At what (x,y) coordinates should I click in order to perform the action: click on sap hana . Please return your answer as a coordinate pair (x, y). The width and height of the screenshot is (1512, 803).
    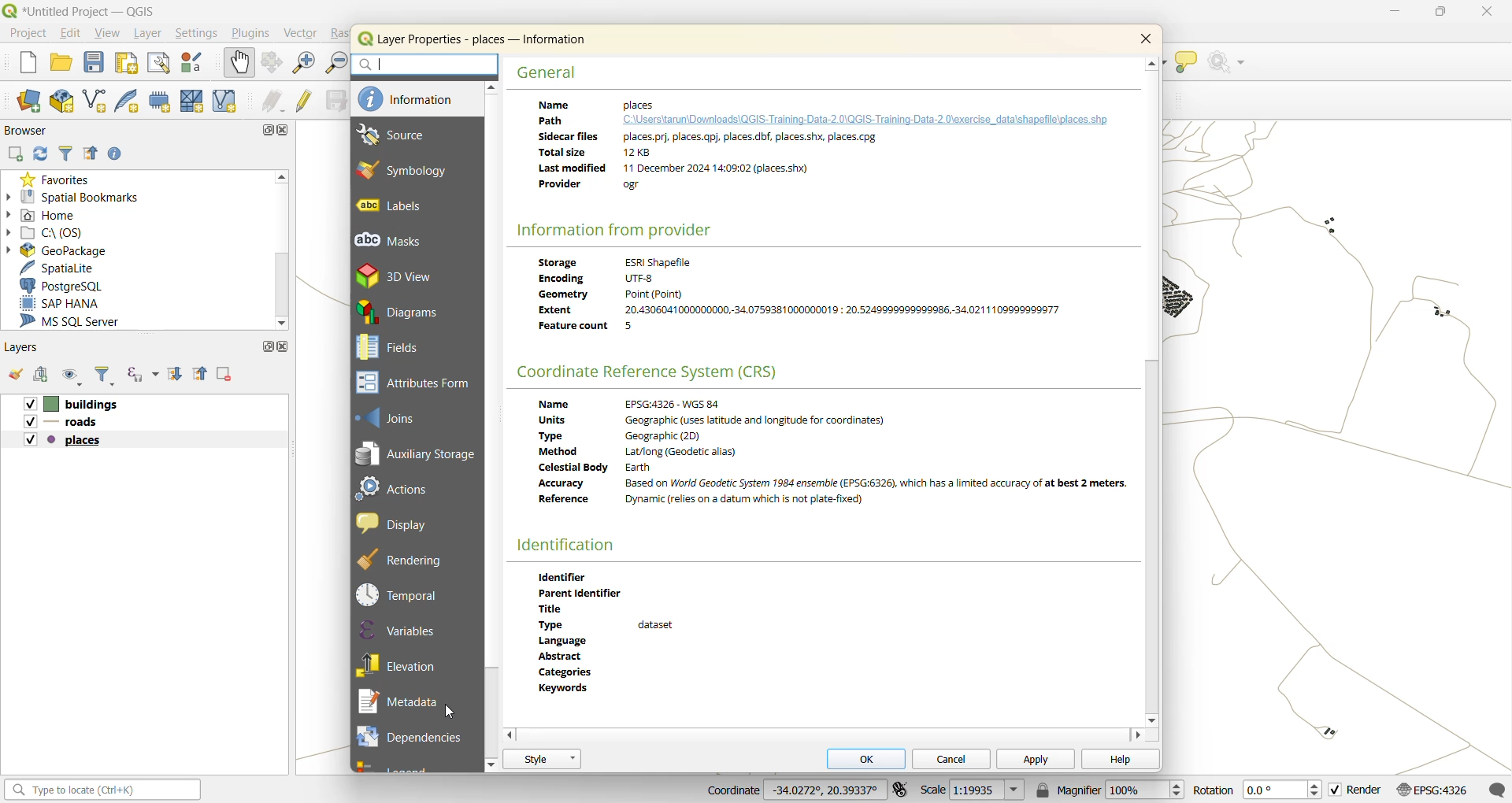
    Looking at the image, I should click on (61, 302).